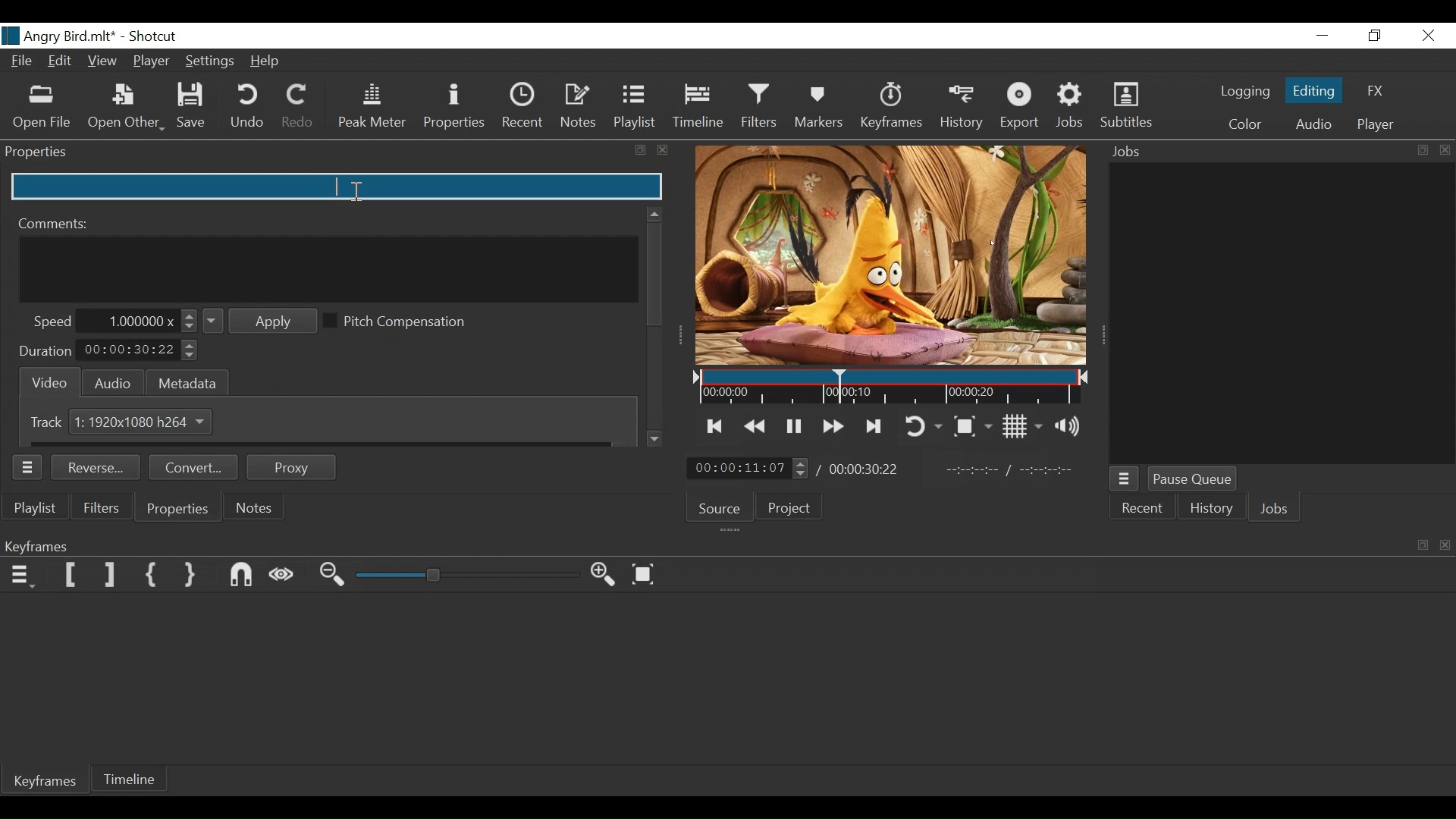 The height and width of the screenshot is (819, 1456). Describe the element at coordinates (647, 575) in the screenshot. I see `Zoom keyframe to fit` at that location.